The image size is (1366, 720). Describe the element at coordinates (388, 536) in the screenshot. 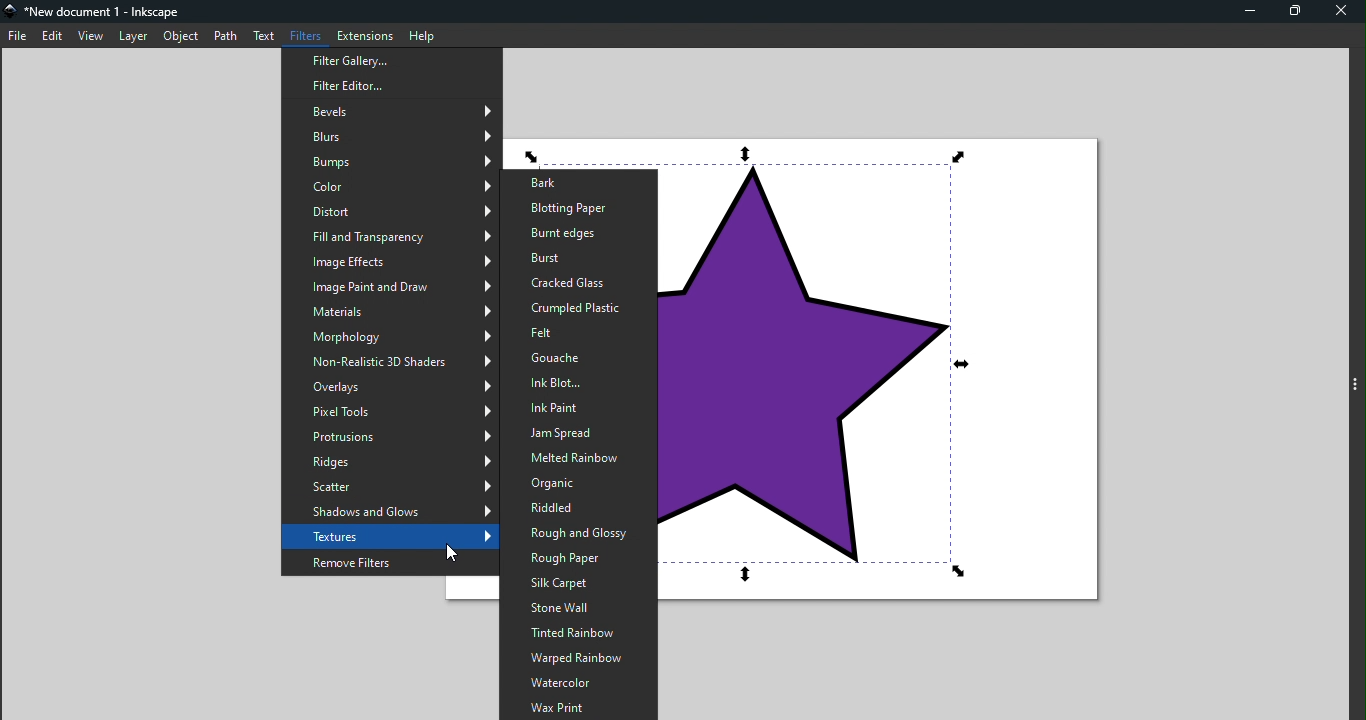

I see `Textures` at that location.